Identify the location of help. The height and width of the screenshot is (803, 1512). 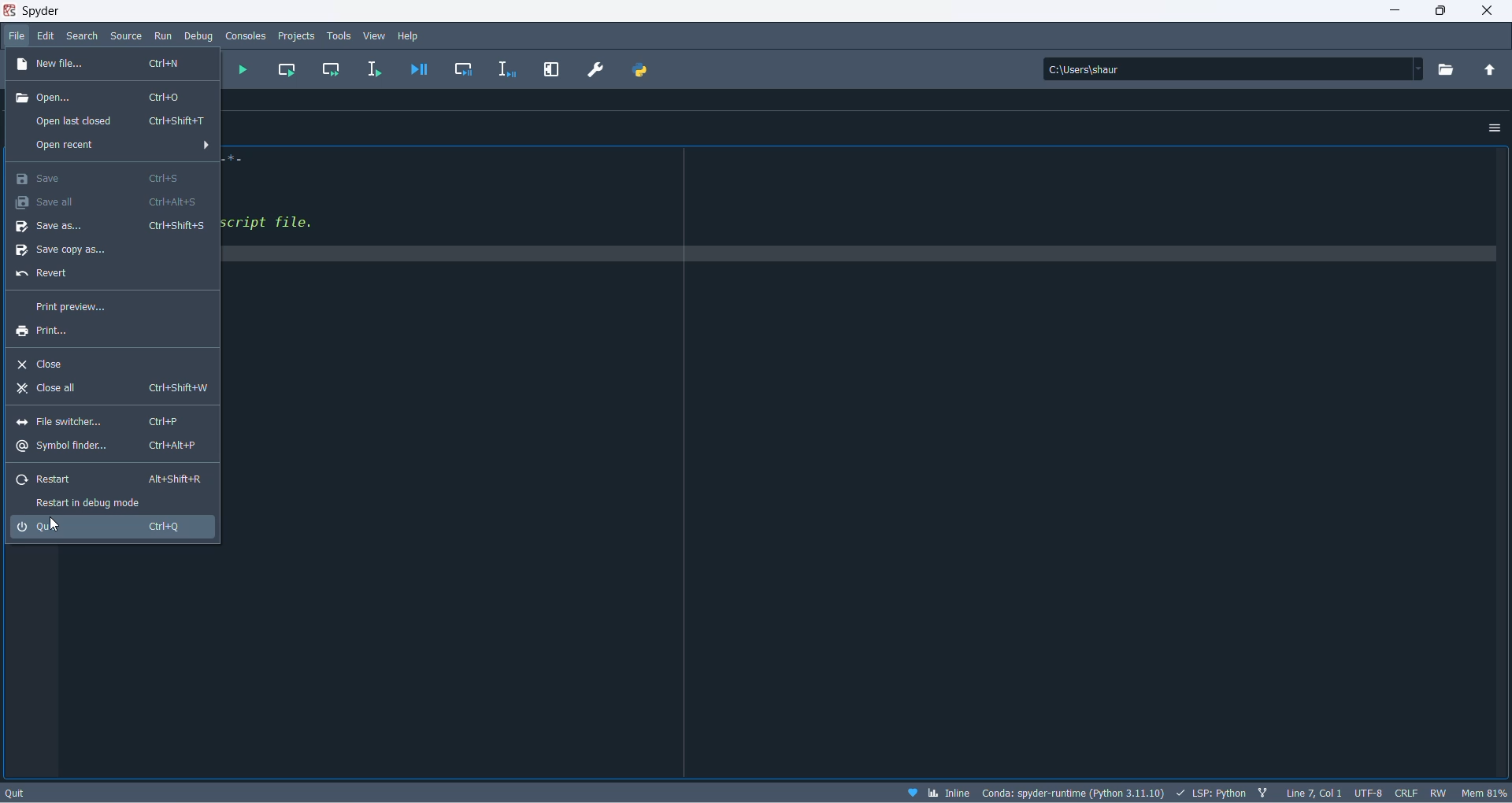
(412, 35).